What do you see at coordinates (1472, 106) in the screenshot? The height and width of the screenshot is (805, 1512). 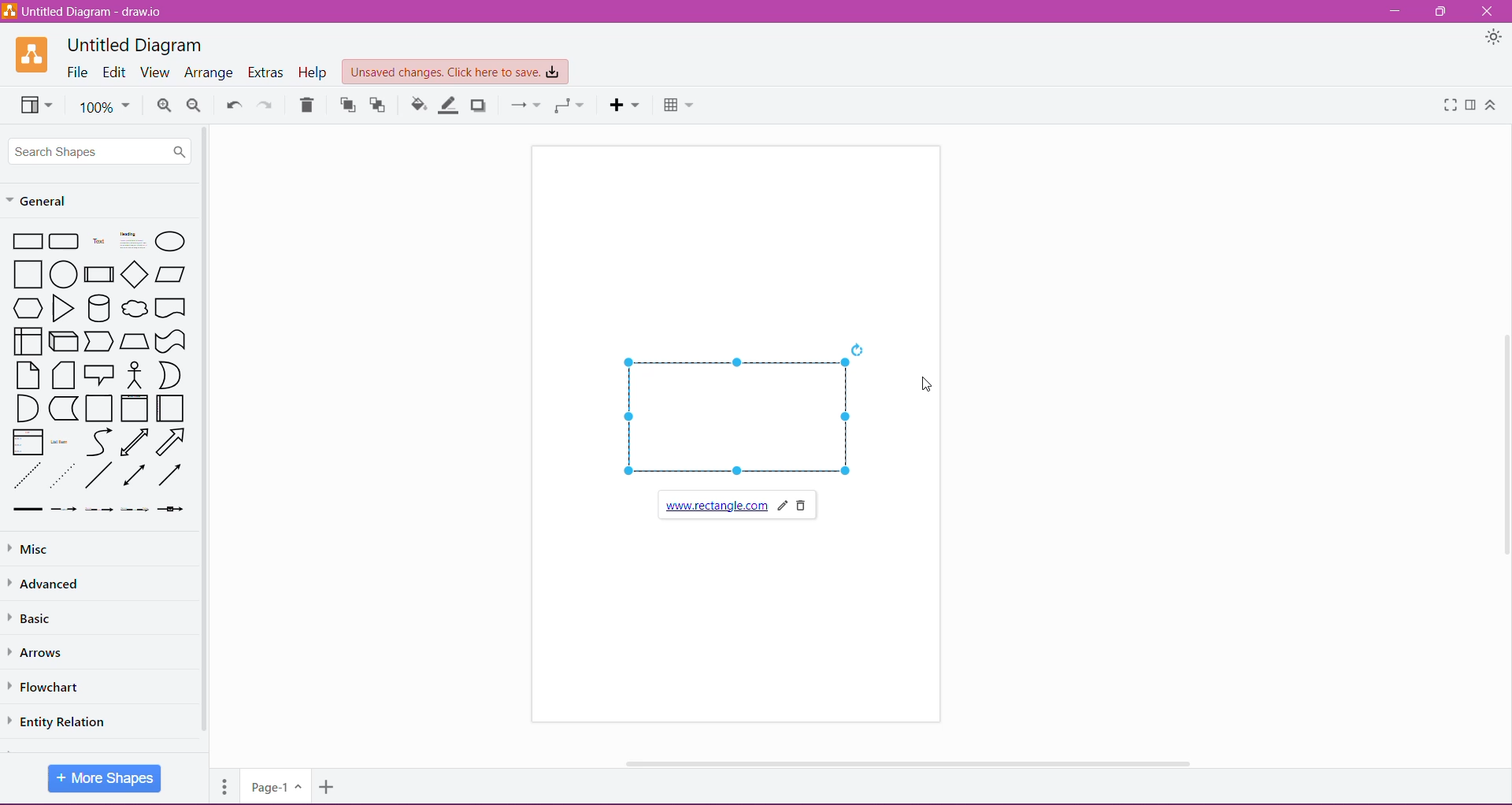 I see `Format` at bounding box center [1472, 106].